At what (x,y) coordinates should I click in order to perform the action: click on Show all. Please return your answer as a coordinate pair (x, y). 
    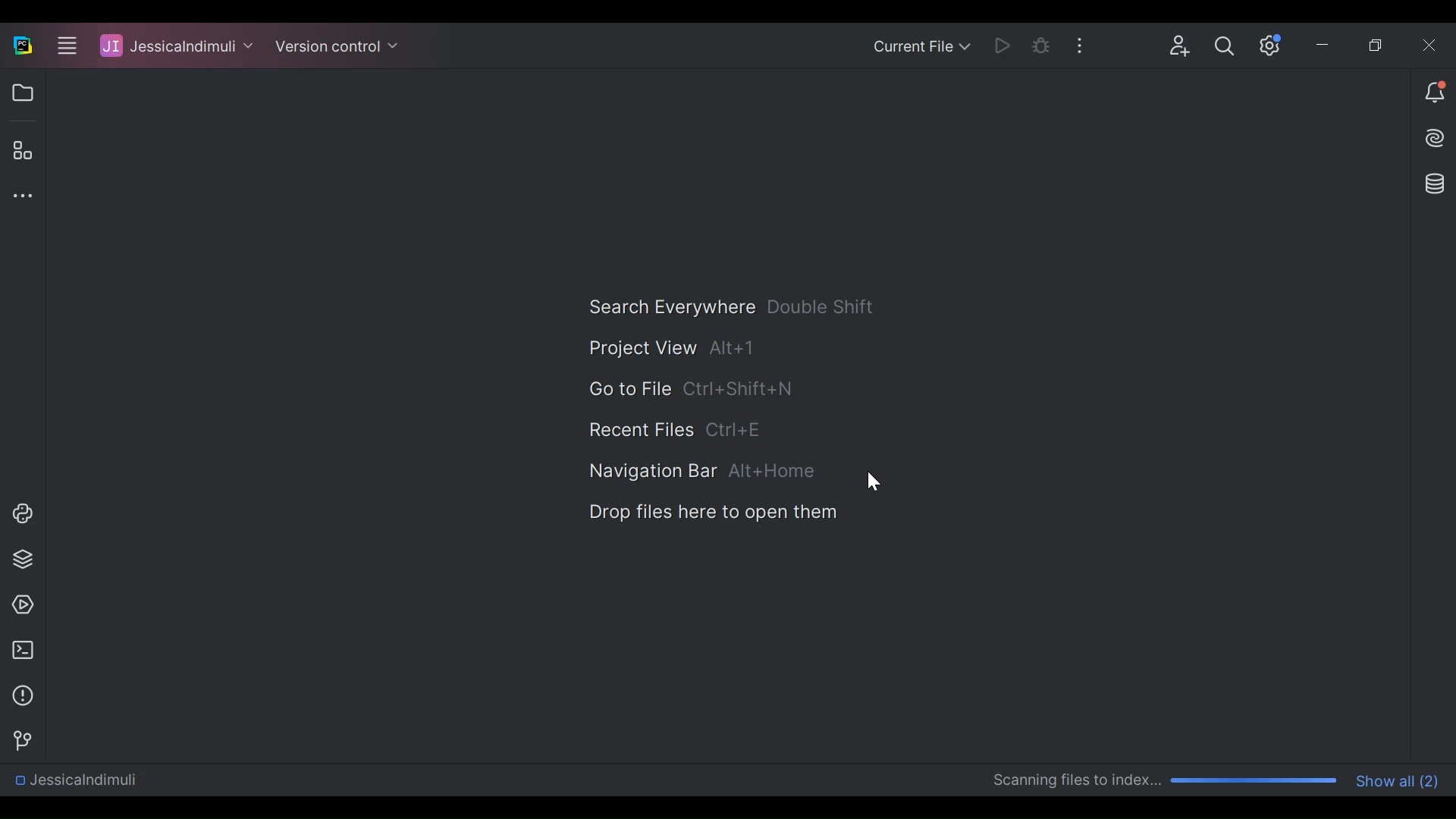
    Looking at the image, I should click on (1400, 780).